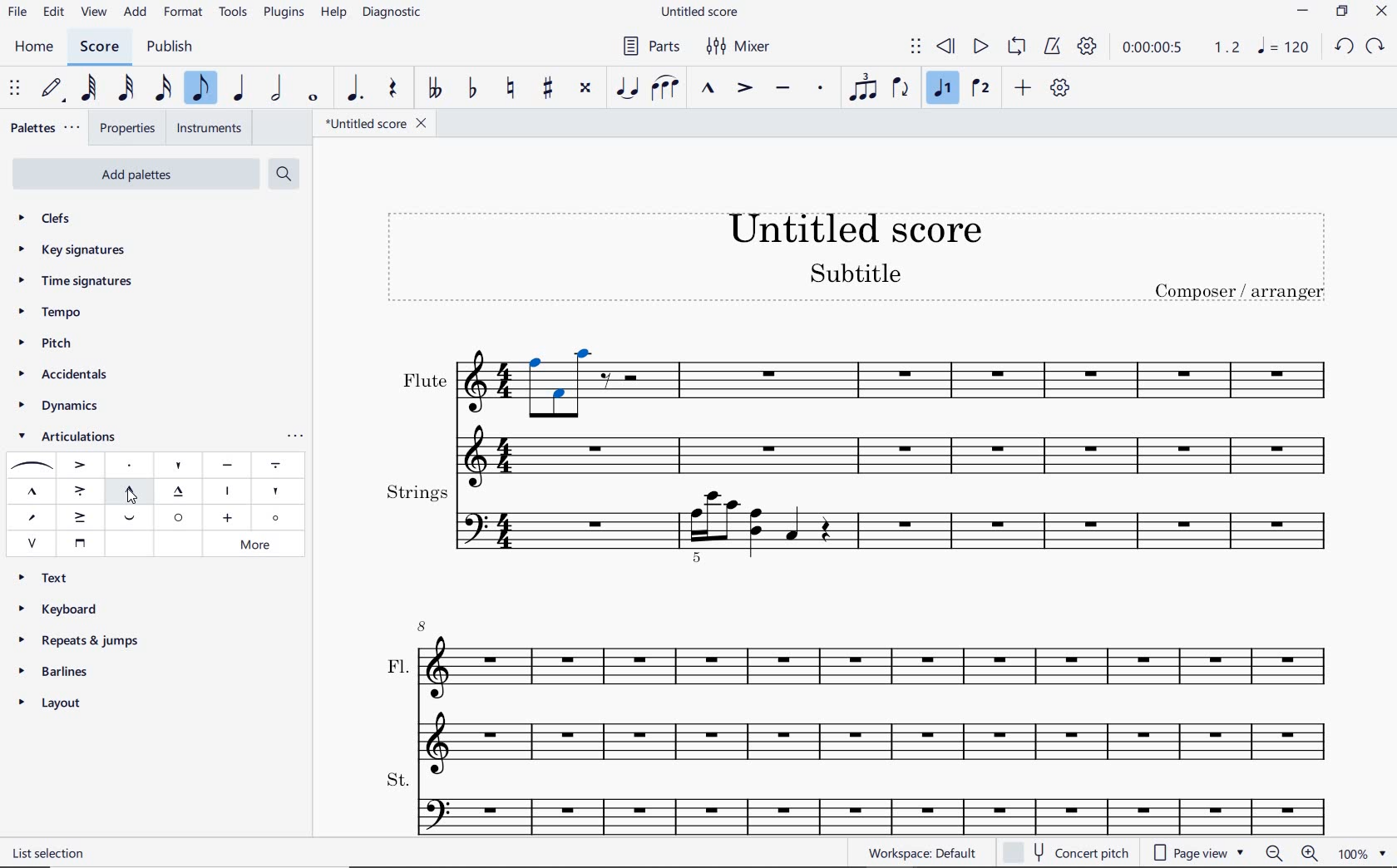 This screenshot has height=868, width=1397. I want to click on edit, so click(53, 12).